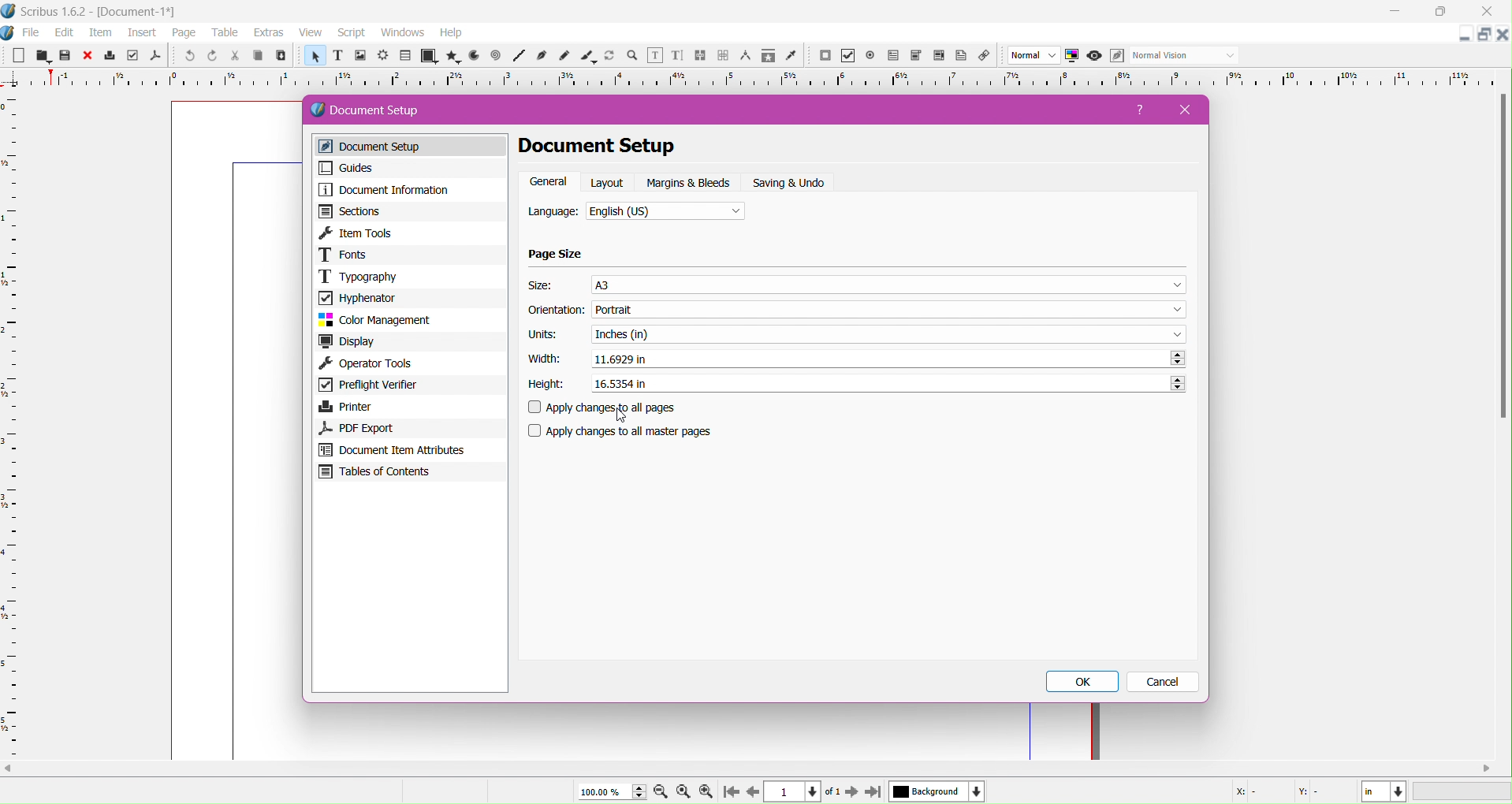 The image size is (1512, 804). I want to click on unlink text frames, so click(723, 56).